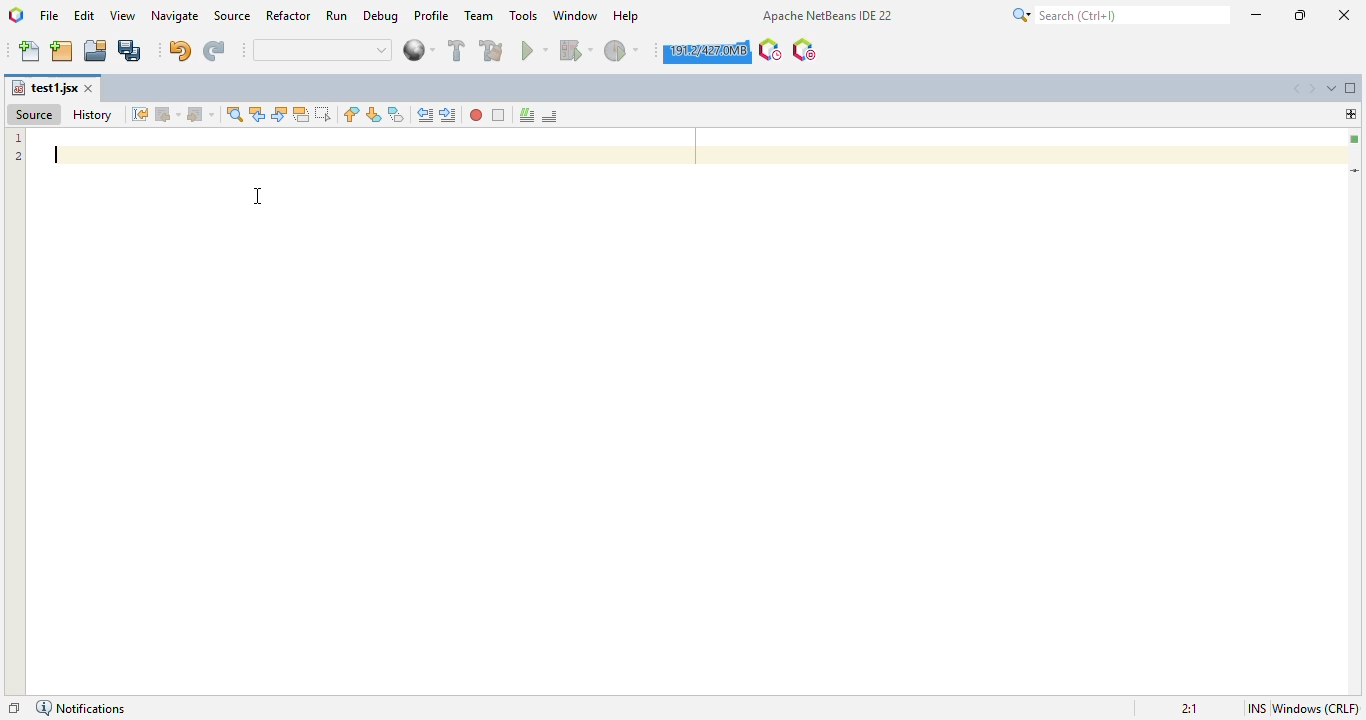  Describe the element at coordinates (322, 113) in the screenshot. I see `toggle rectangular selection` at that location.